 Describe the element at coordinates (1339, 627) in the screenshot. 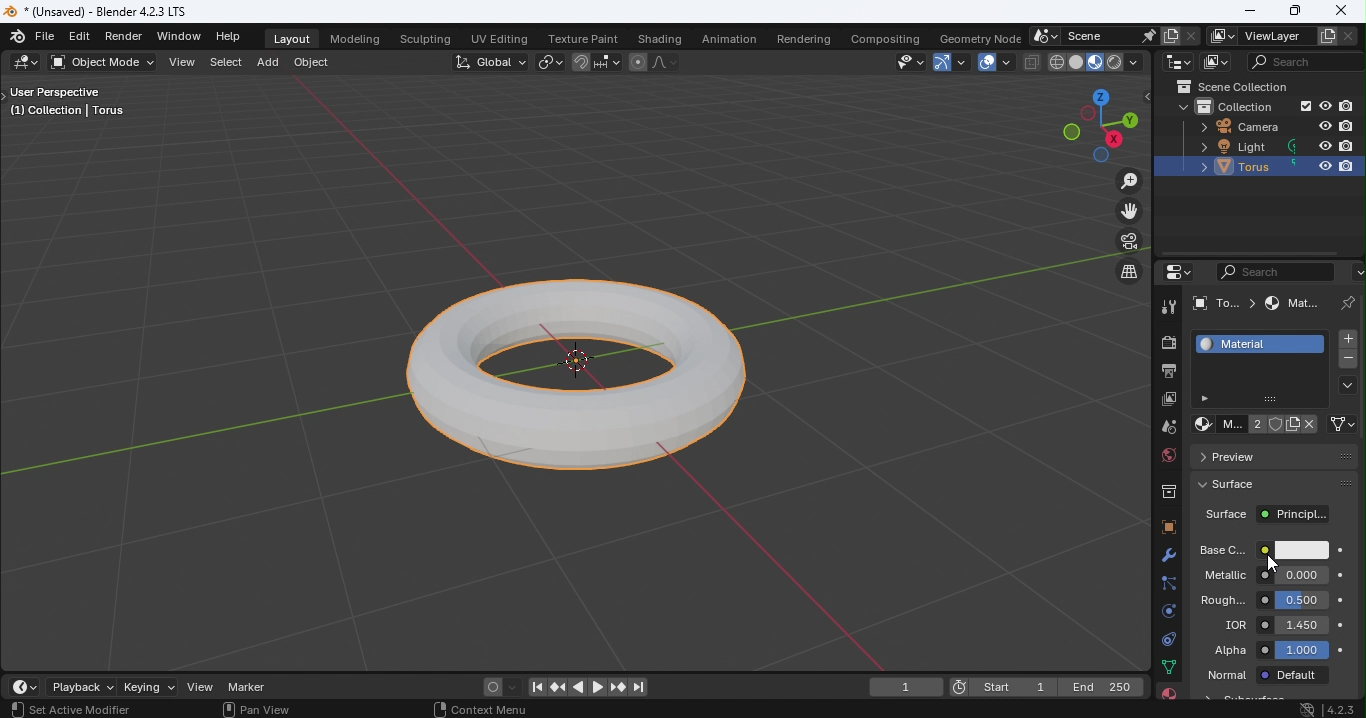

I see `Animate property` at that location.